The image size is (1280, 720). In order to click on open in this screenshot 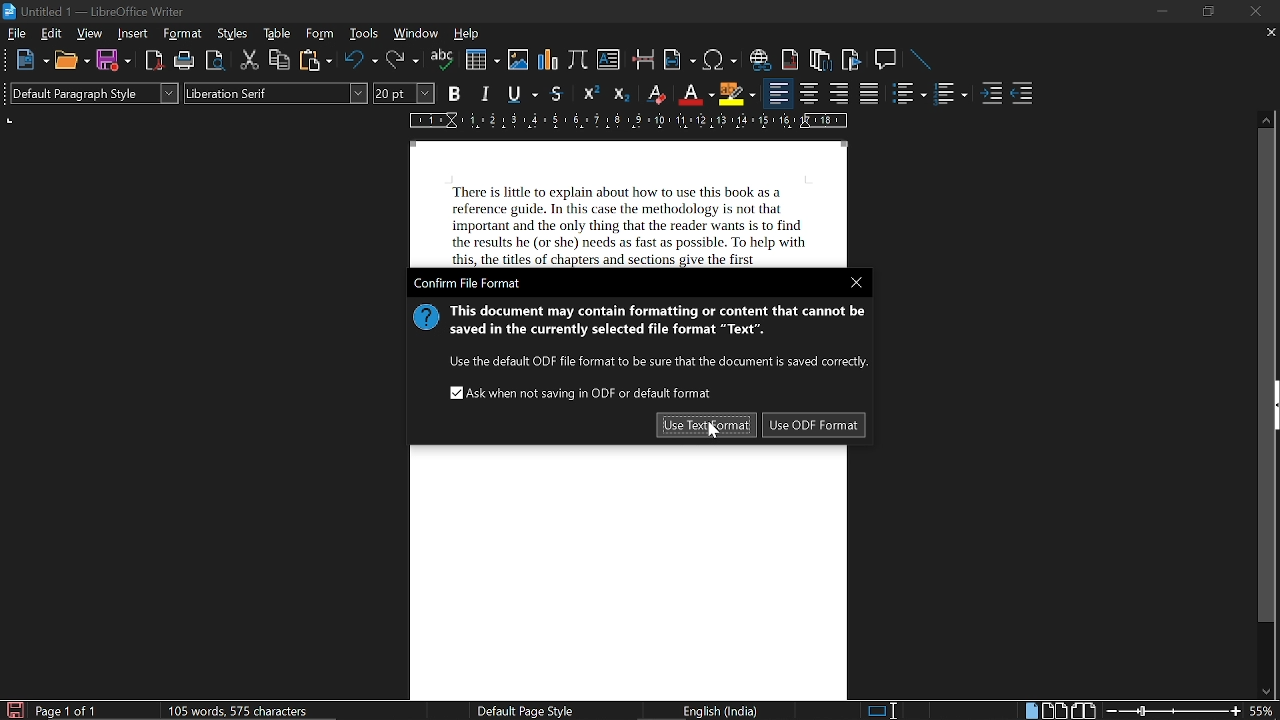, I will do `click(70, 60)`.